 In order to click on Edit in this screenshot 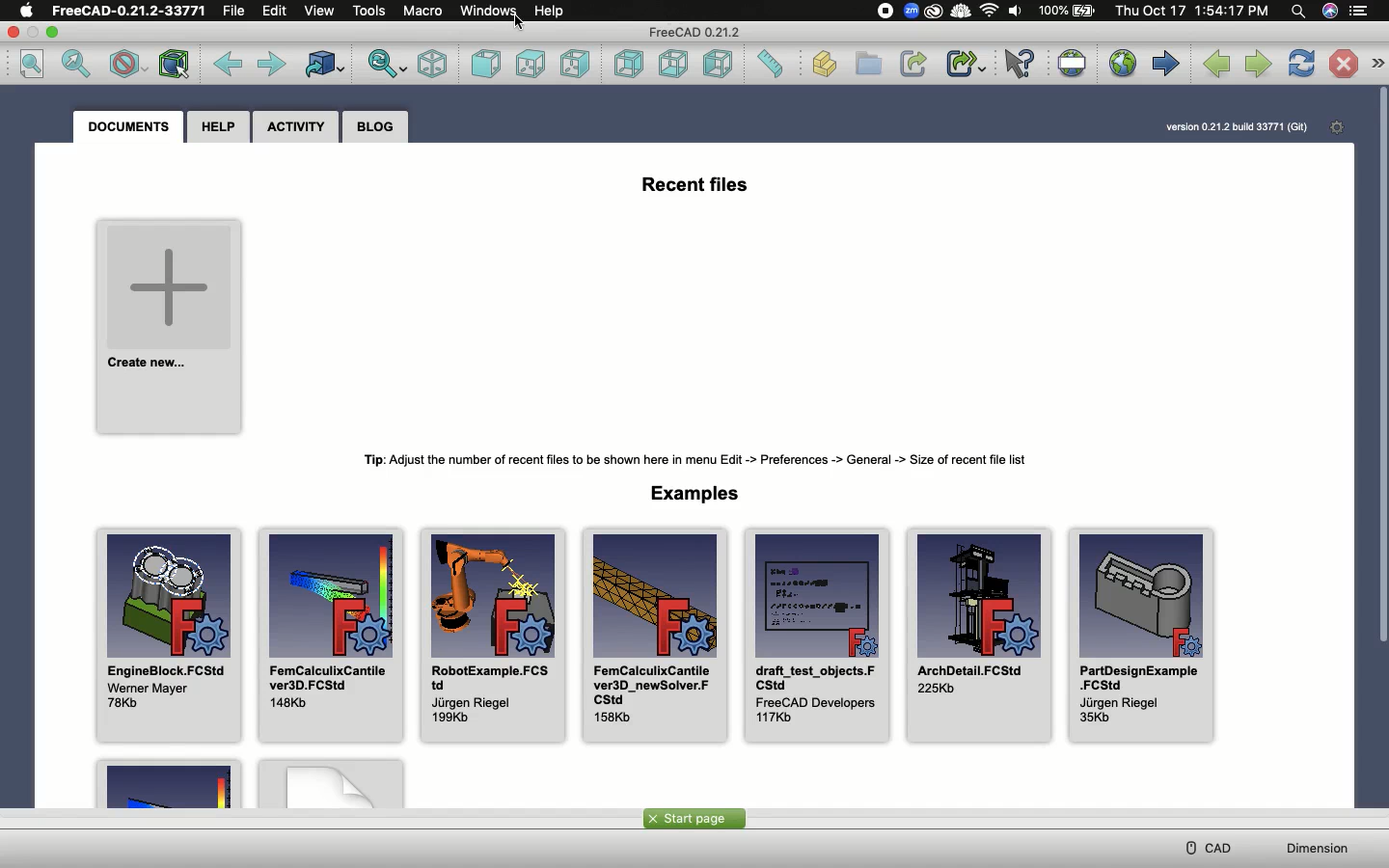, I will do `click(278, 12)`.